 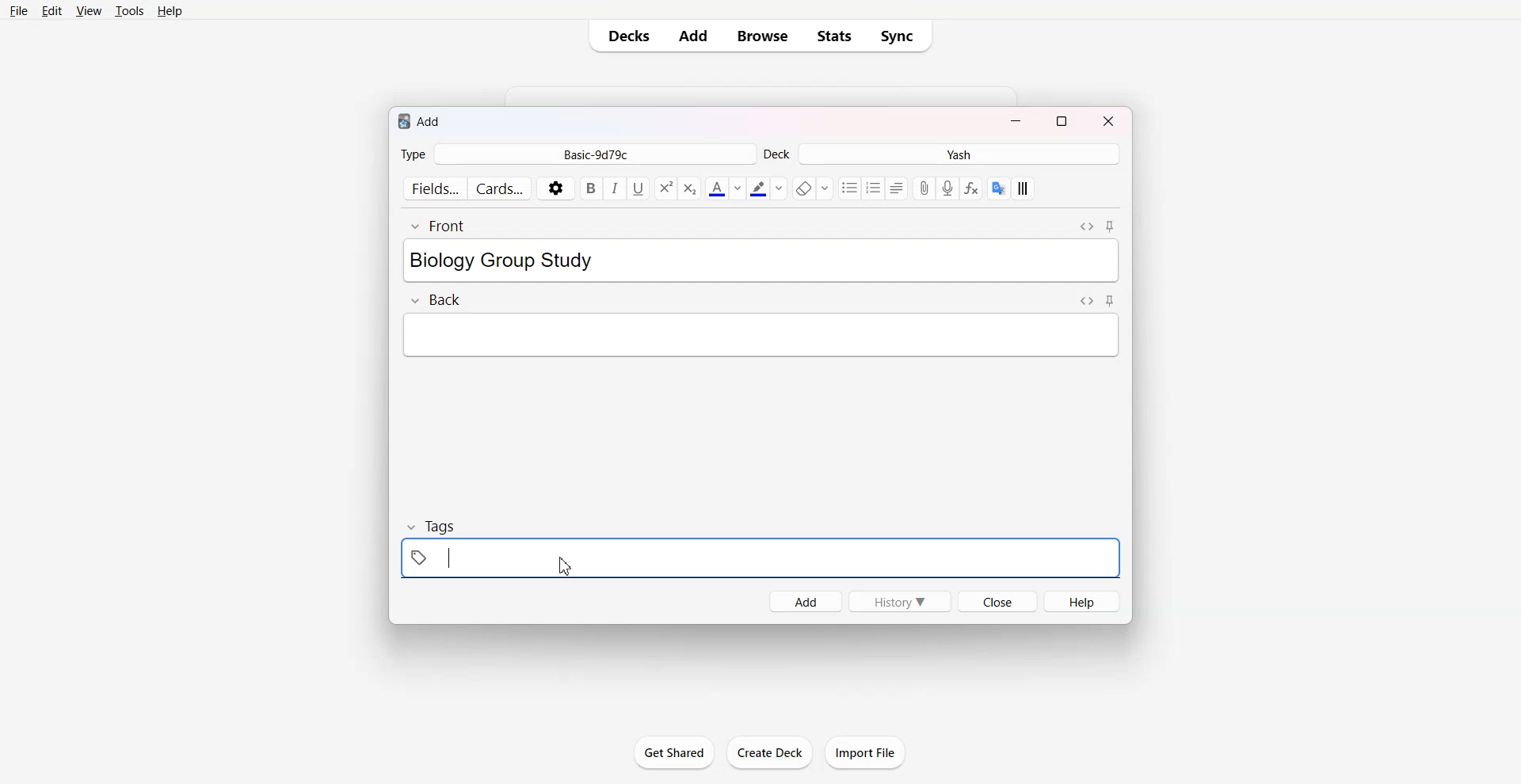 I want to click on Record Audio, so click(x=947, y=188).